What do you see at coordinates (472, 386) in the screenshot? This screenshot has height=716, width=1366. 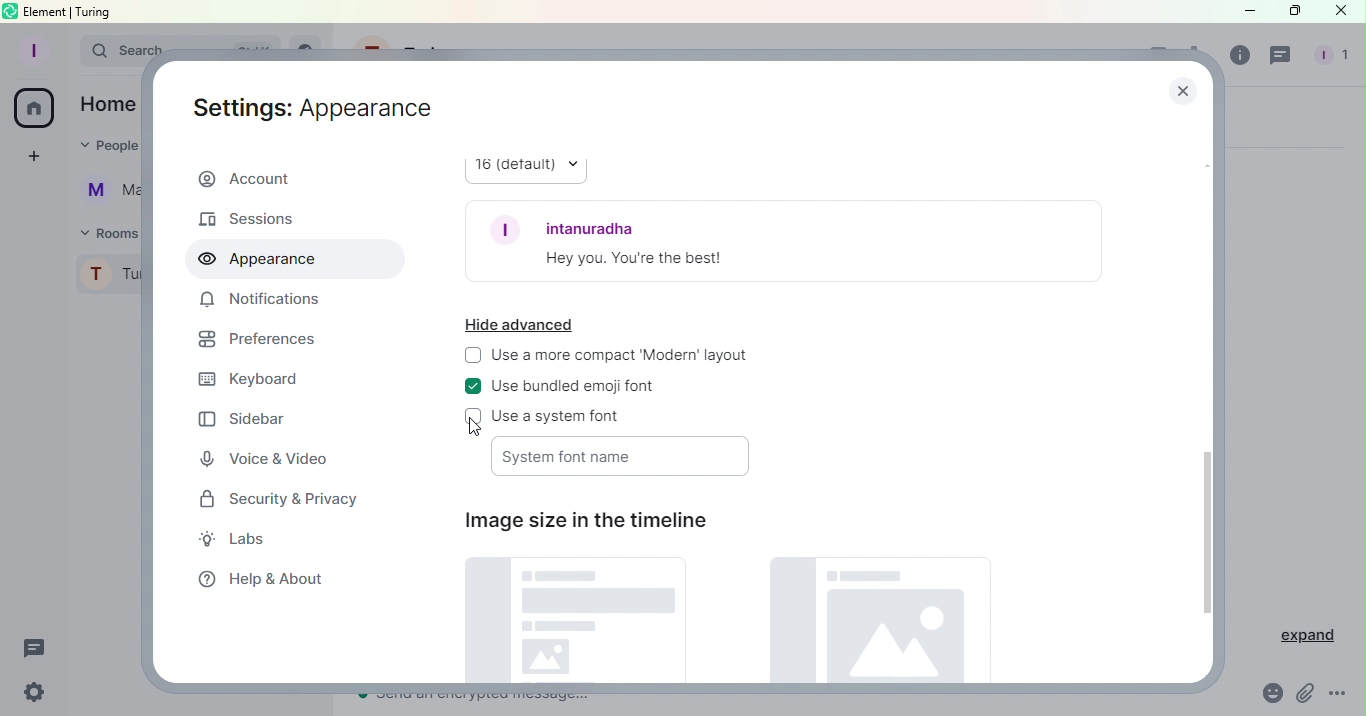 I see `check box` at bounding box center [472, 386].